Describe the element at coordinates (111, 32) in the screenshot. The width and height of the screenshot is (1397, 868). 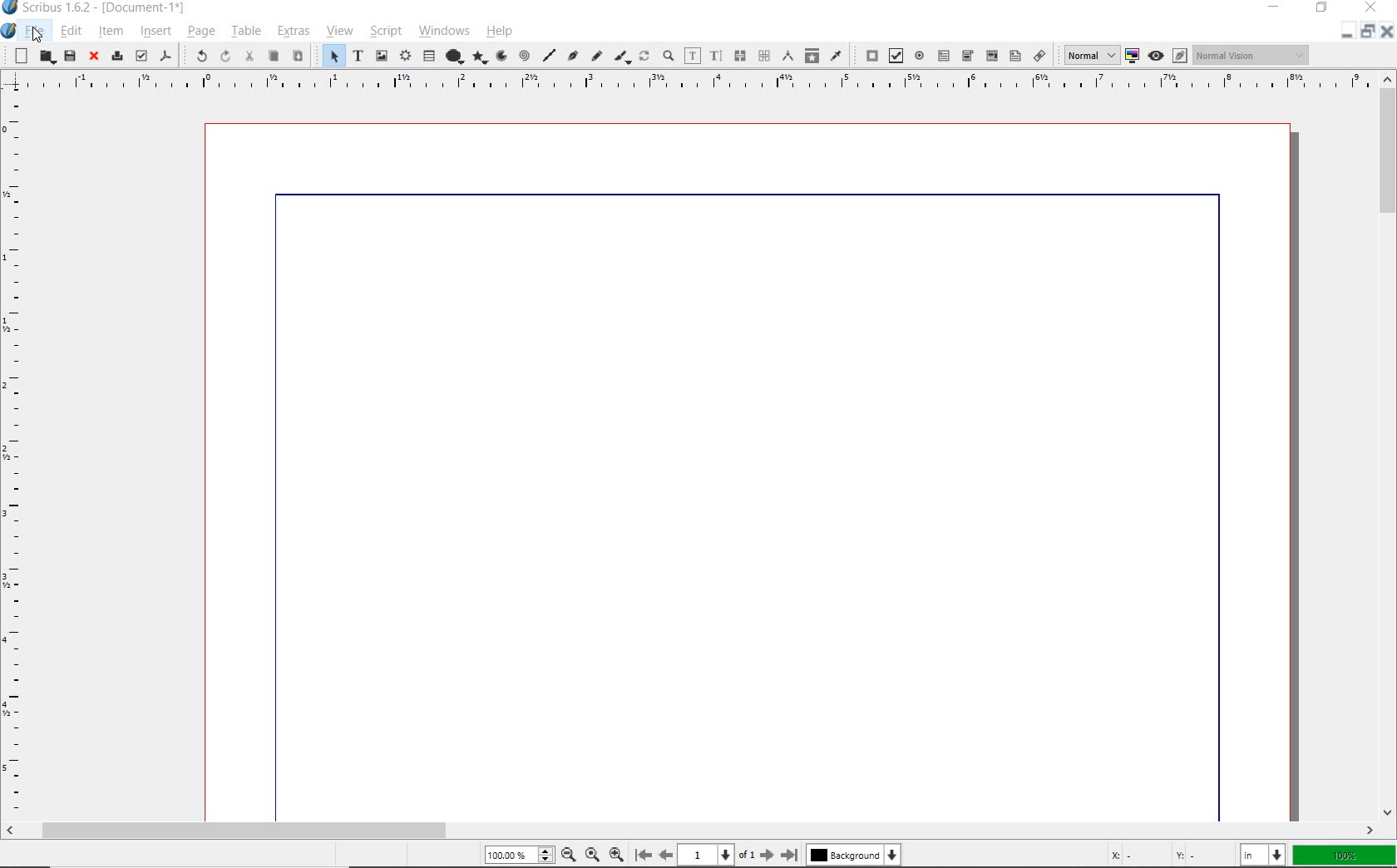
I see `item` at that location.